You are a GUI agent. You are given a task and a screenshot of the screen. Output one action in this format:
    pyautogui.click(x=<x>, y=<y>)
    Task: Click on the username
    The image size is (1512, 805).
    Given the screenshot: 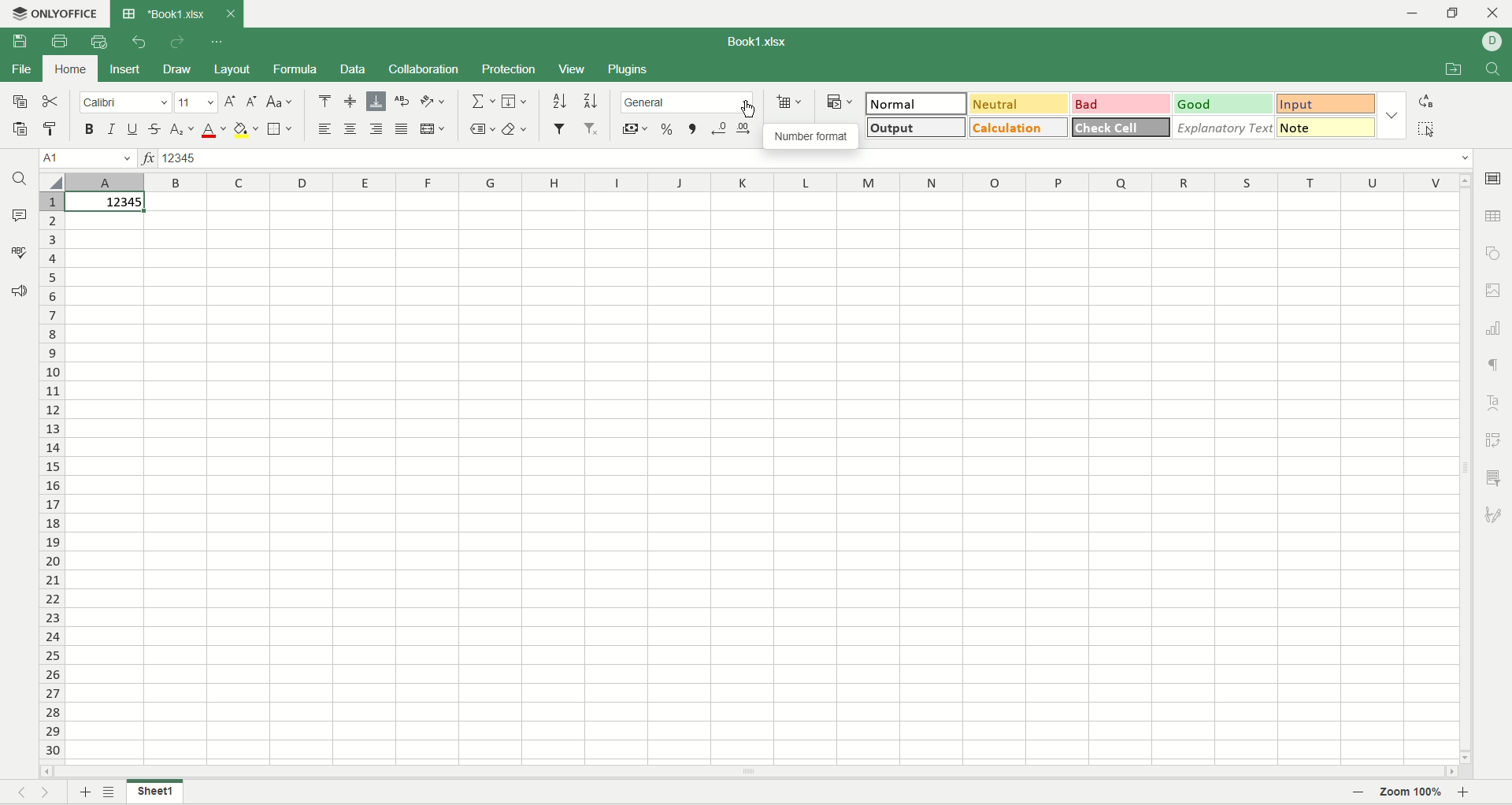 What is the action you would take?
    pyautogui.click(x=1492, y=43)
    